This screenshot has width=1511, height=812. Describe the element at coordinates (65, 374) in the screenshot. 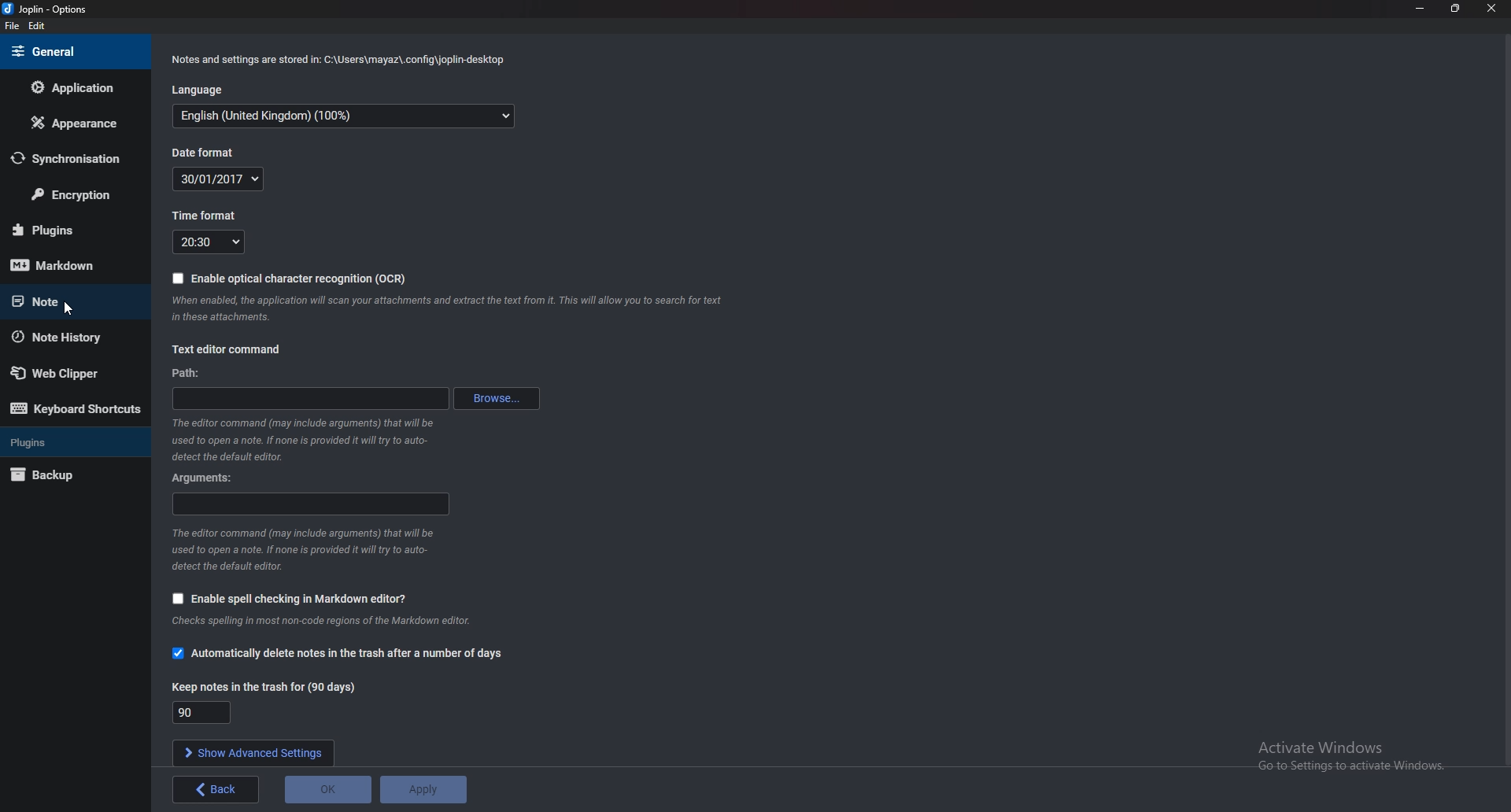

I see `Web Clipper` at that location.